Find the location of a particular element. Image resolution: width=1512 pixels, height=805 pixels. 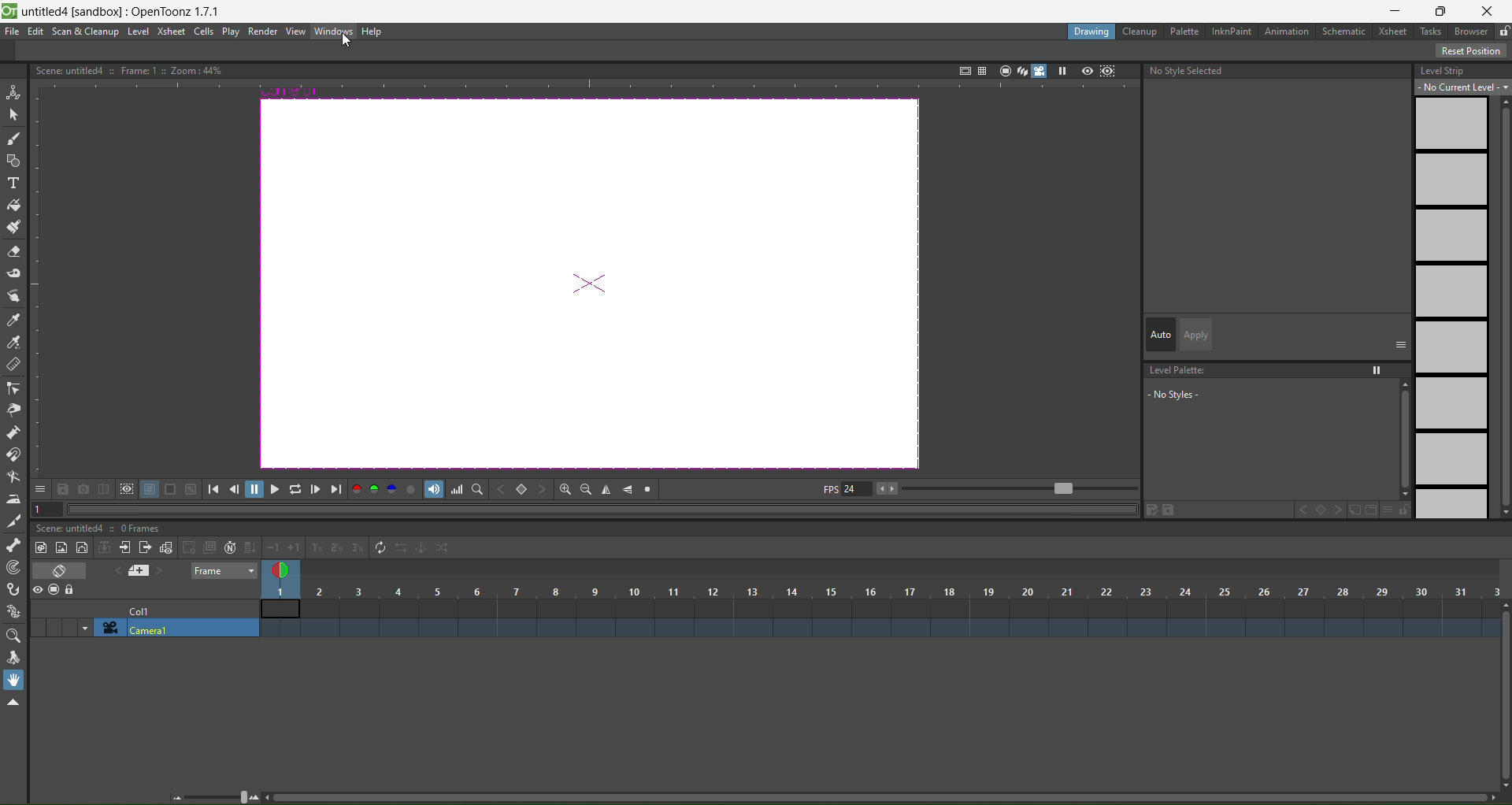

xsheet is located at coordinates (170, 31).